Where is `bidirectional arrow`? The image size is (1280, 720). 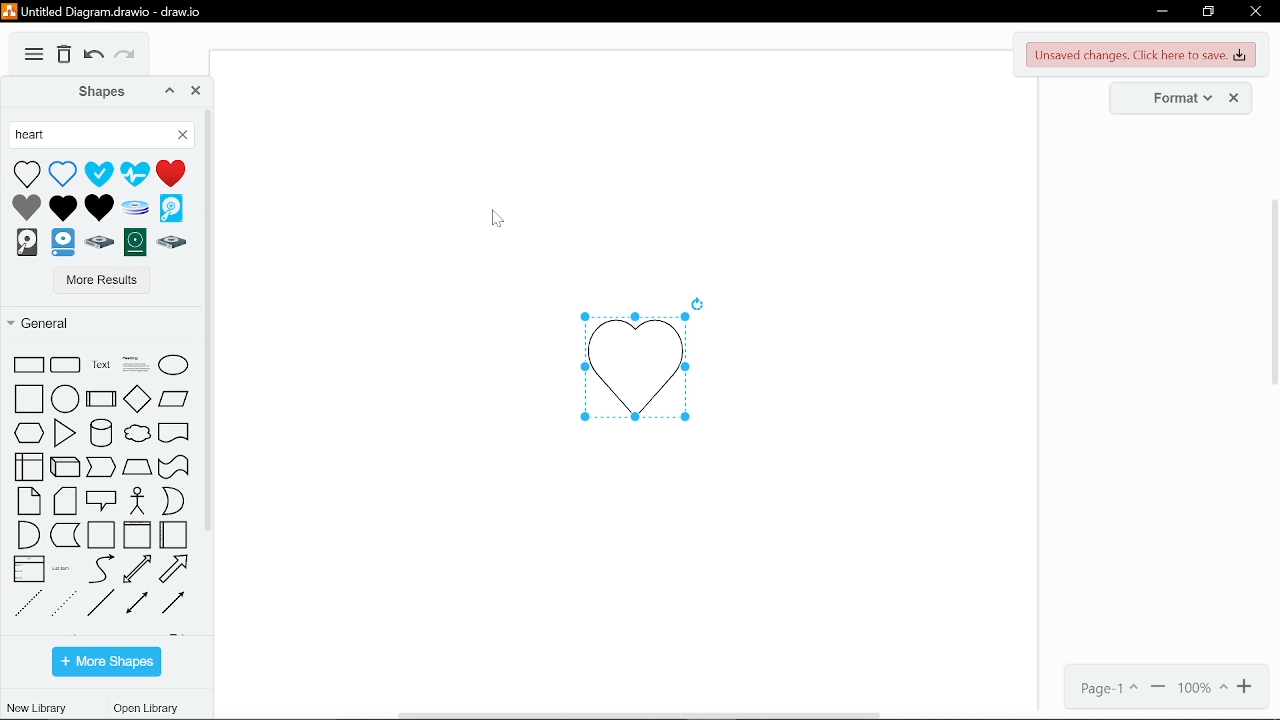
bidirectional arrow is located at coordinates (138, 569).